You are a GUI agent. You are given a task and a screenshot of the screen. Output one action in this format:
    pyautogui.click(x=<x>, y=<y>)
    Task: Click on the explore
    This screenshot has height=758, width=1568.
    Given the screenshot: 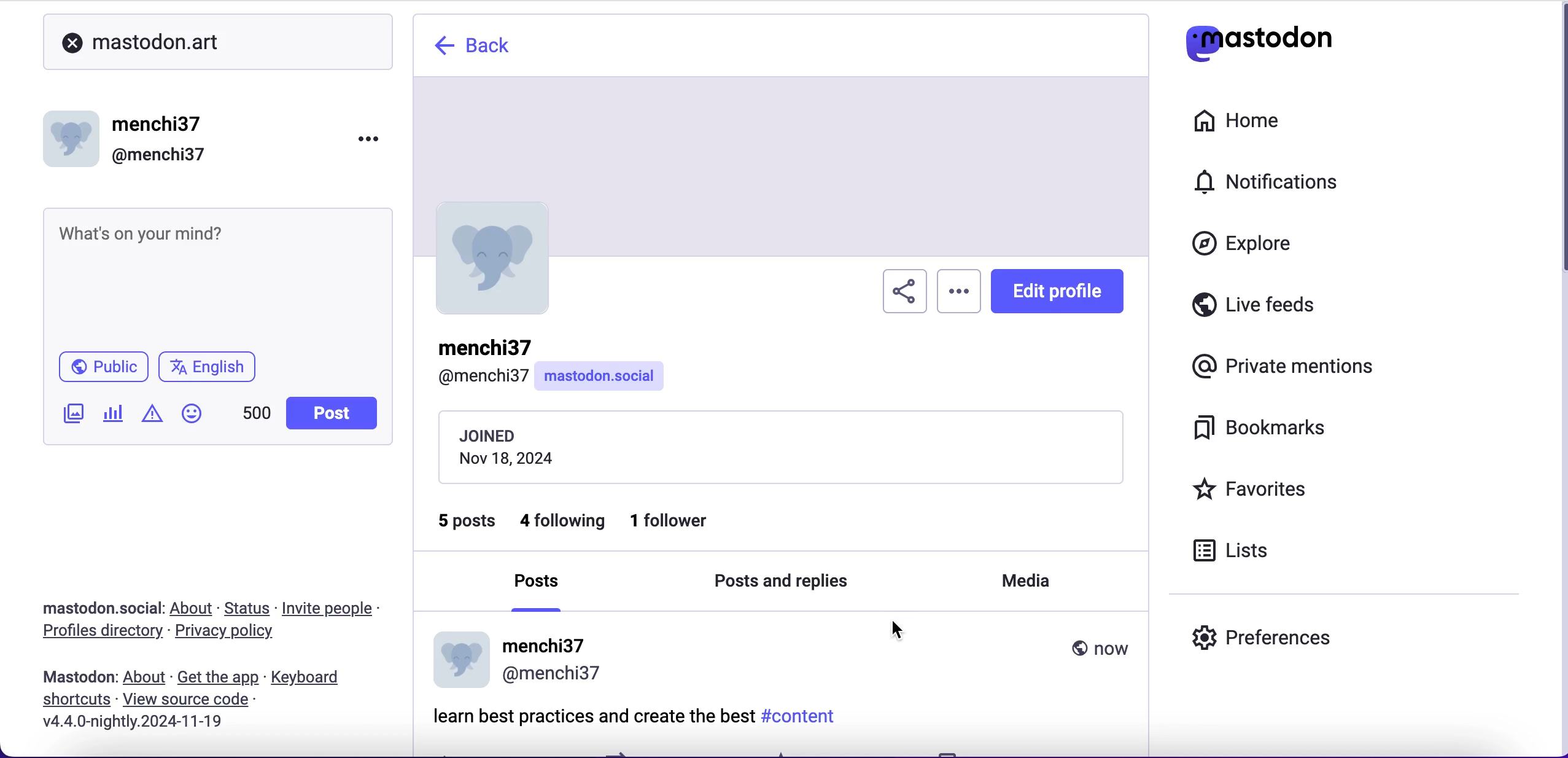 What is the action you would take?
    pyautogui.click(x=1246, y=249)
    